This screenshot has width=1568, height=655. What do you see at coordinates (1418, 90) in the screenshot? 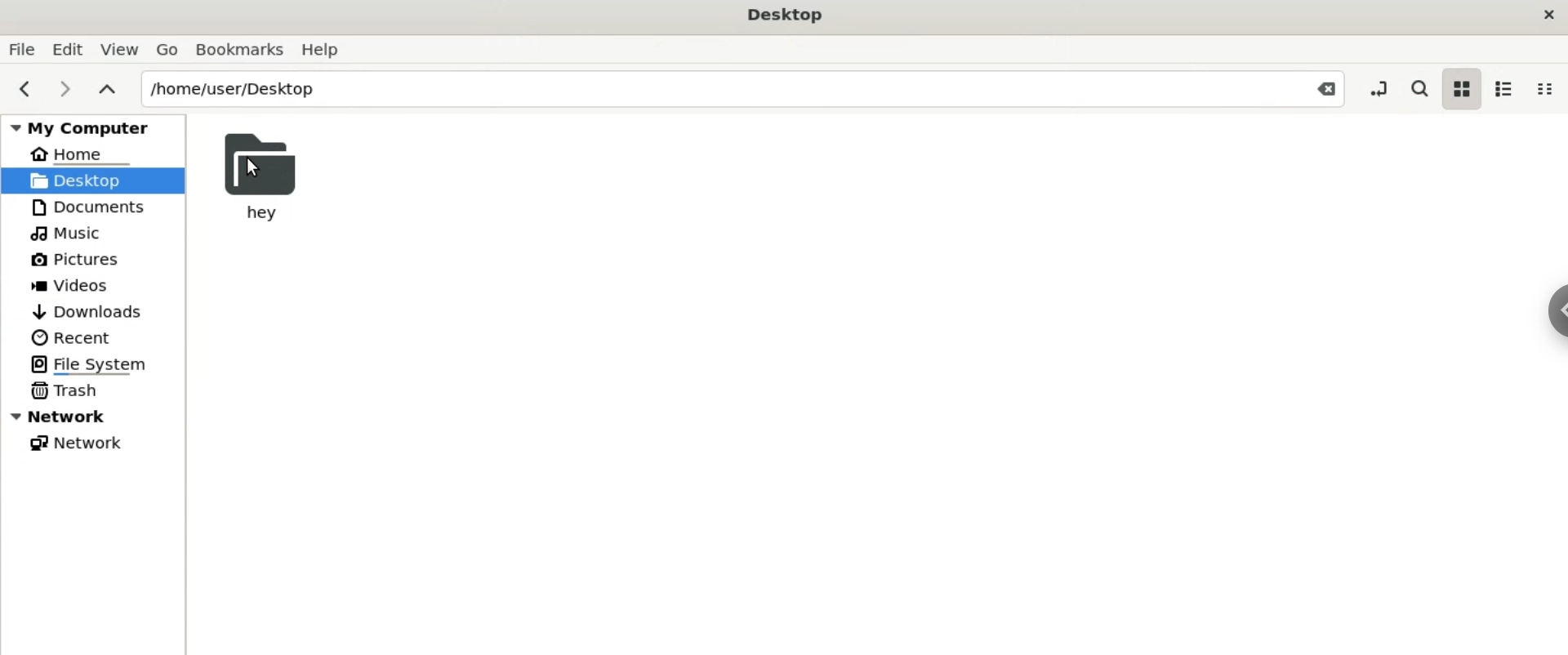
I see `search` at bounding box center [1418, 90].